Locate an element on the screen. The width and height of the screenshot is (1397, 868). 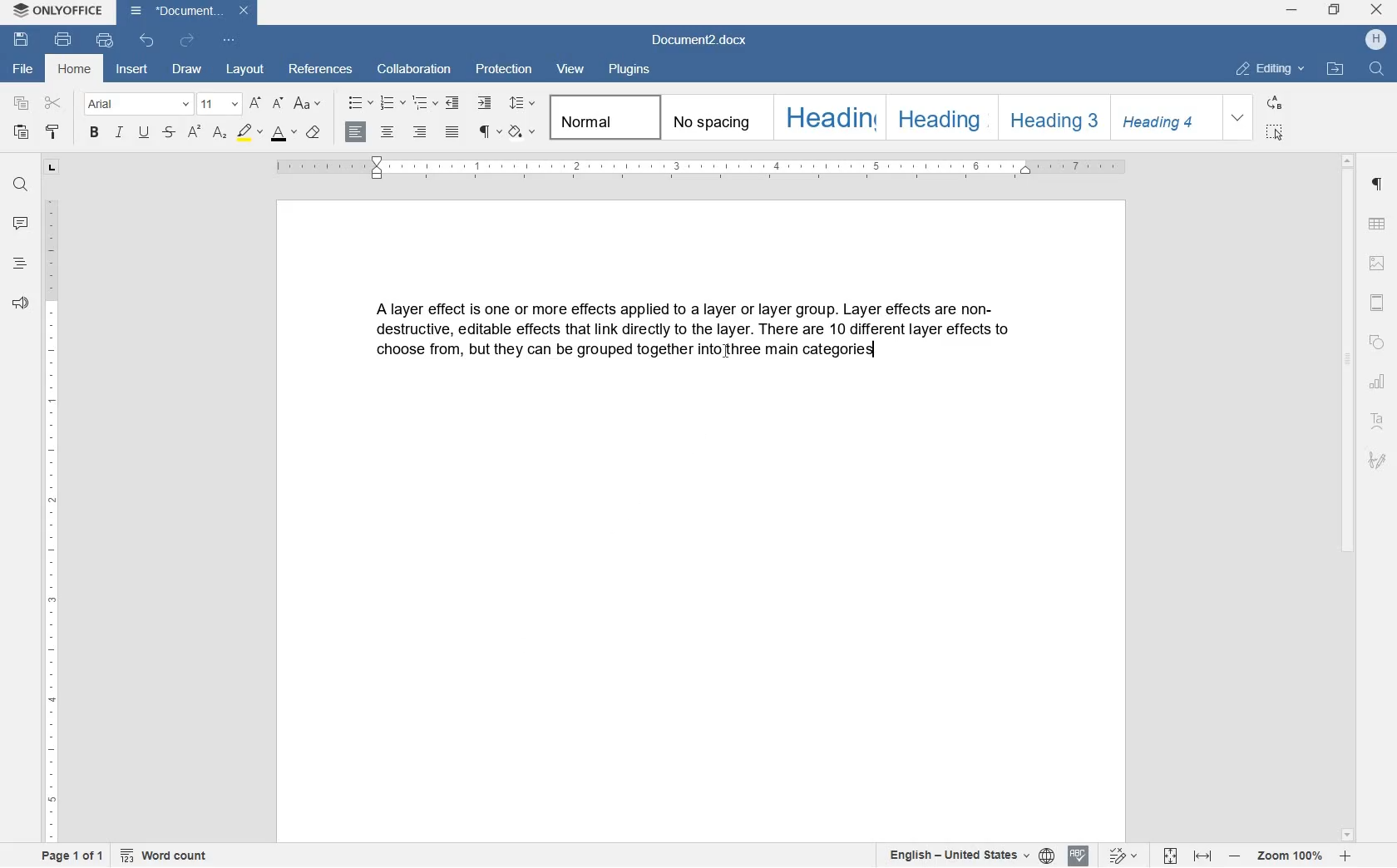
text art is located at coordinates (1380, 424).